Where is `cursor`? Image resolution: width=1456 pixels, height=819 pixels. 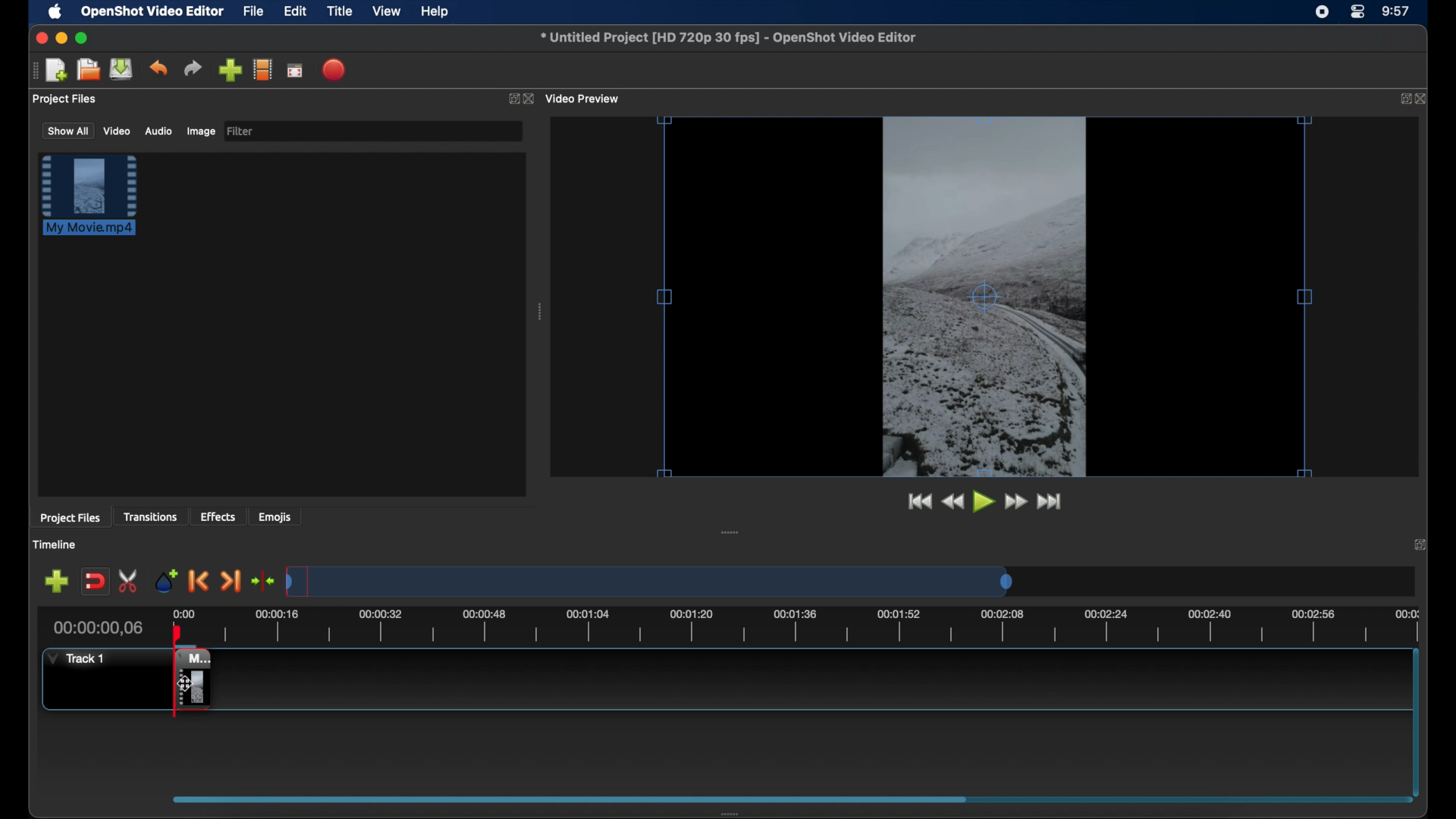
cursor is located at coordinates (187, 682).